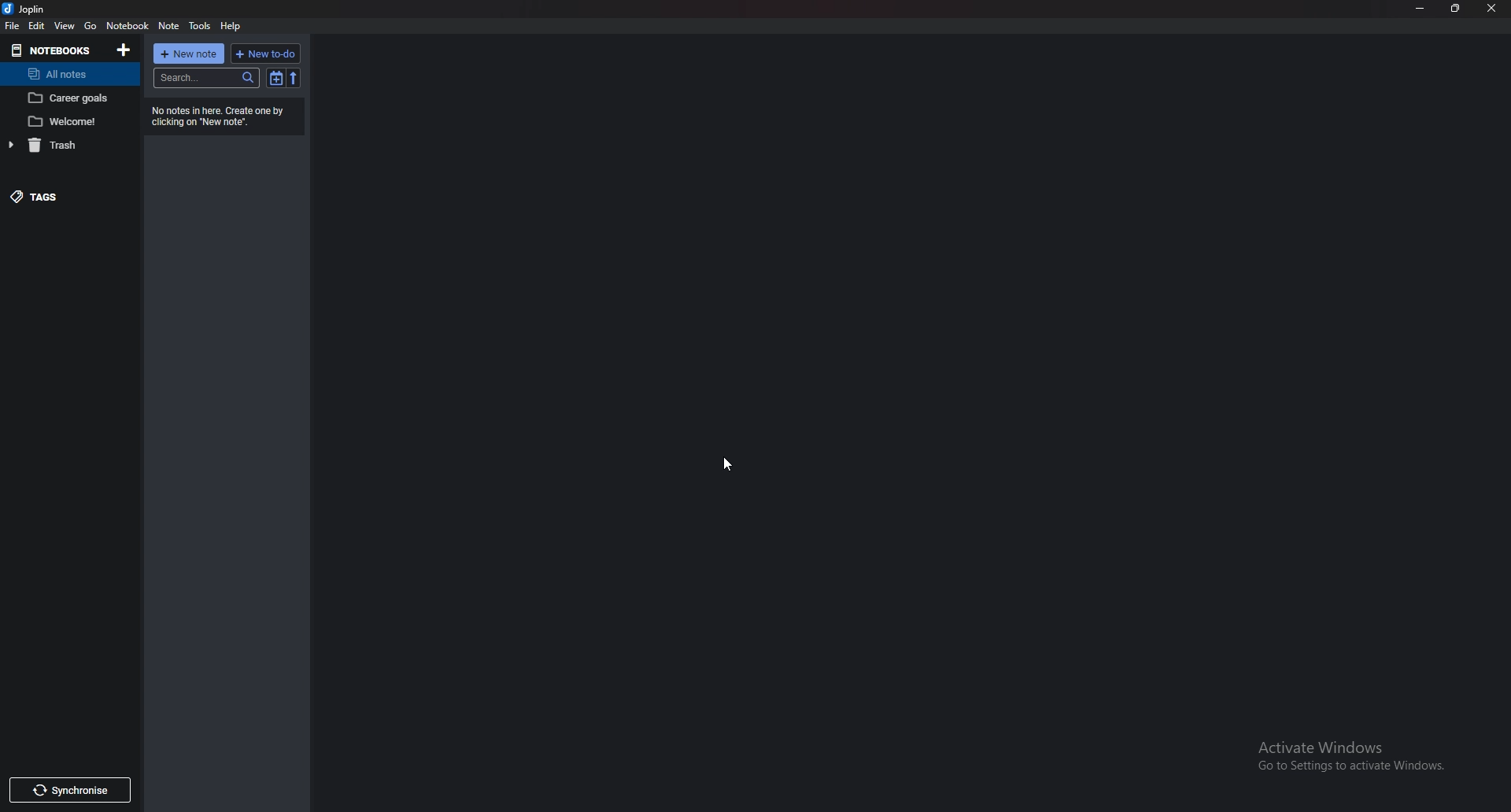 The width and height of the screenshot is (1511, 812). What do you see at coordinates (65, 26) in the screenshot?
I see `view` at bounding box center [65, 26].